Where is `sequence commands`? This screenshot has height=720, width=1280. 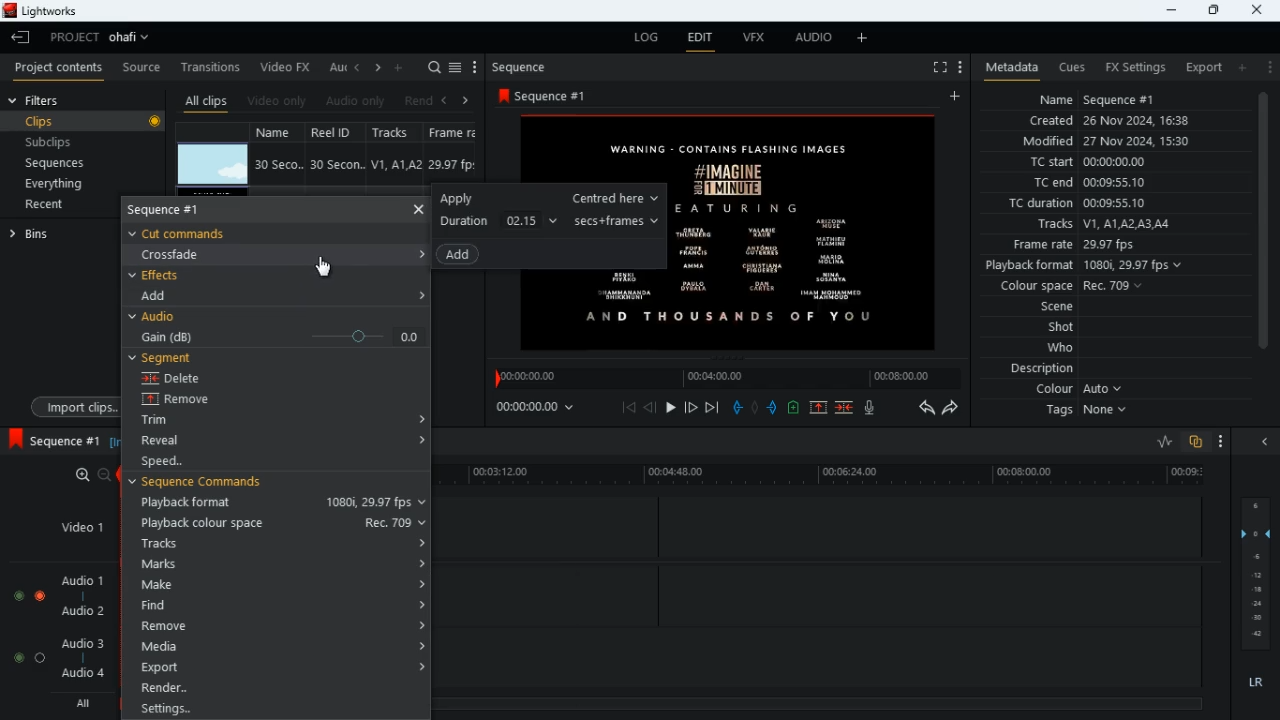
sequence commands is located at coordinates (211, 485).